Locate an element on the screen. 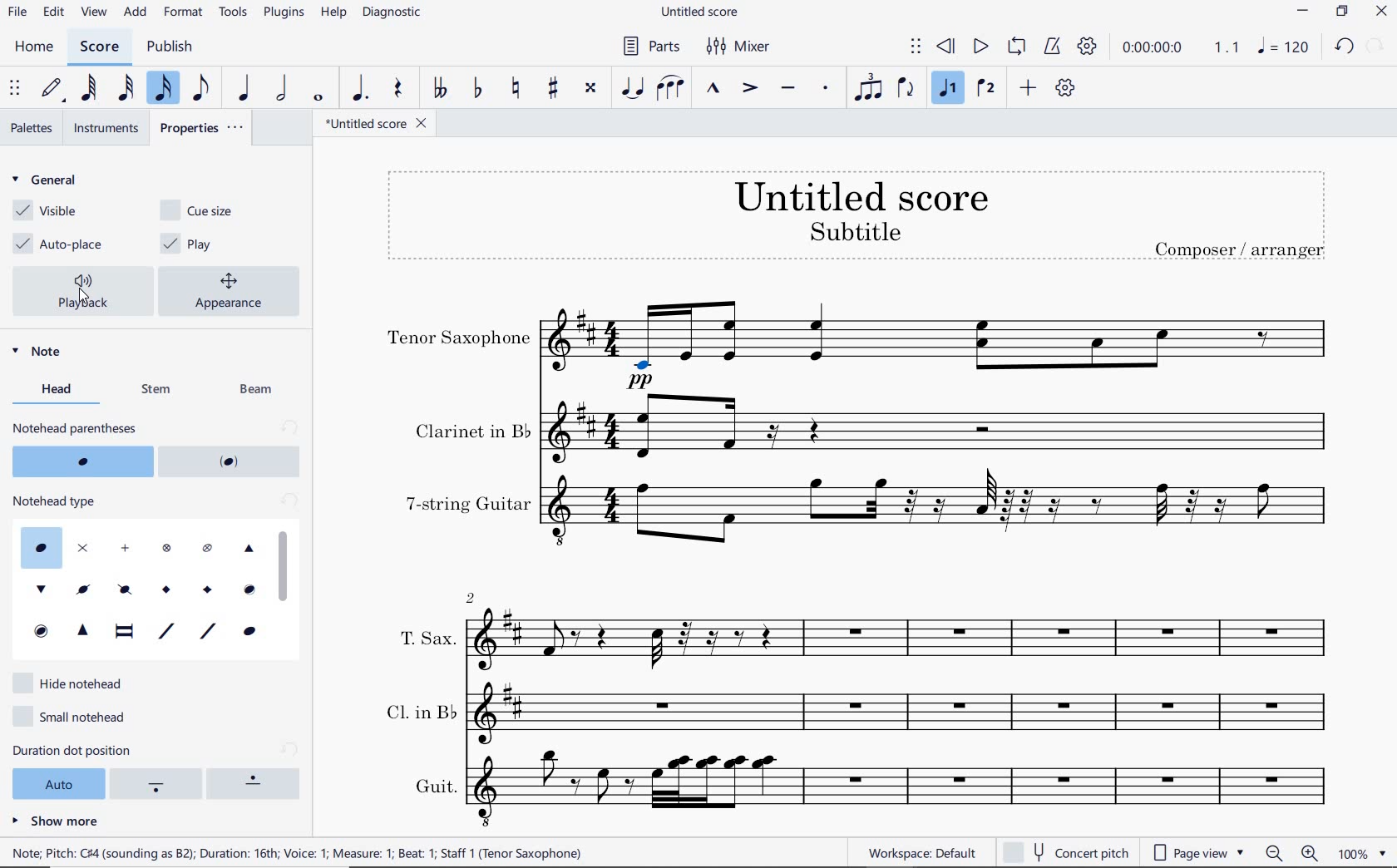  play is located at coordinates (190, 244).